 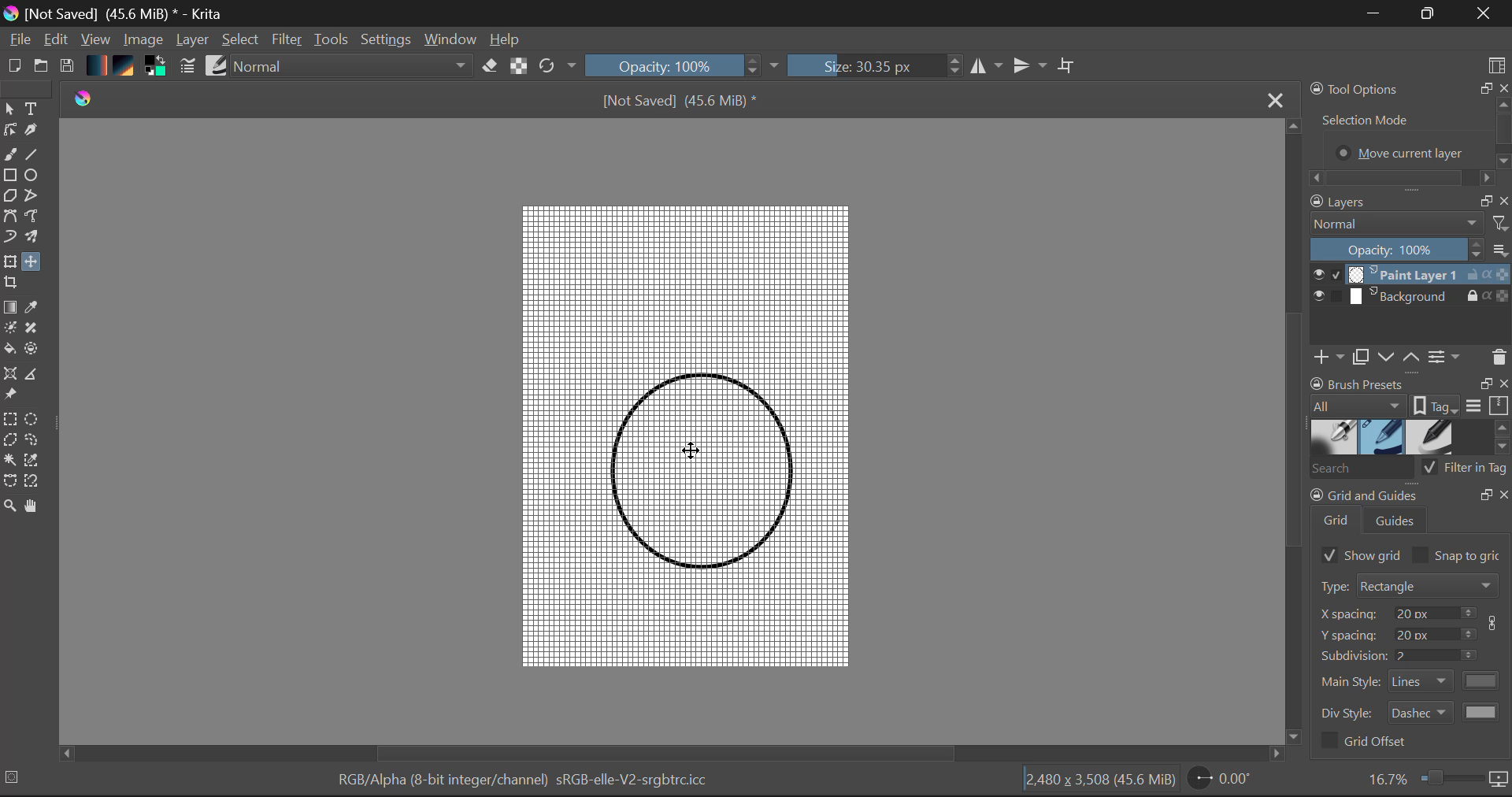 What do you see at coordinates (35, 175) in the screenshot?
I see `Elipses` at bounding box center [35, 175].